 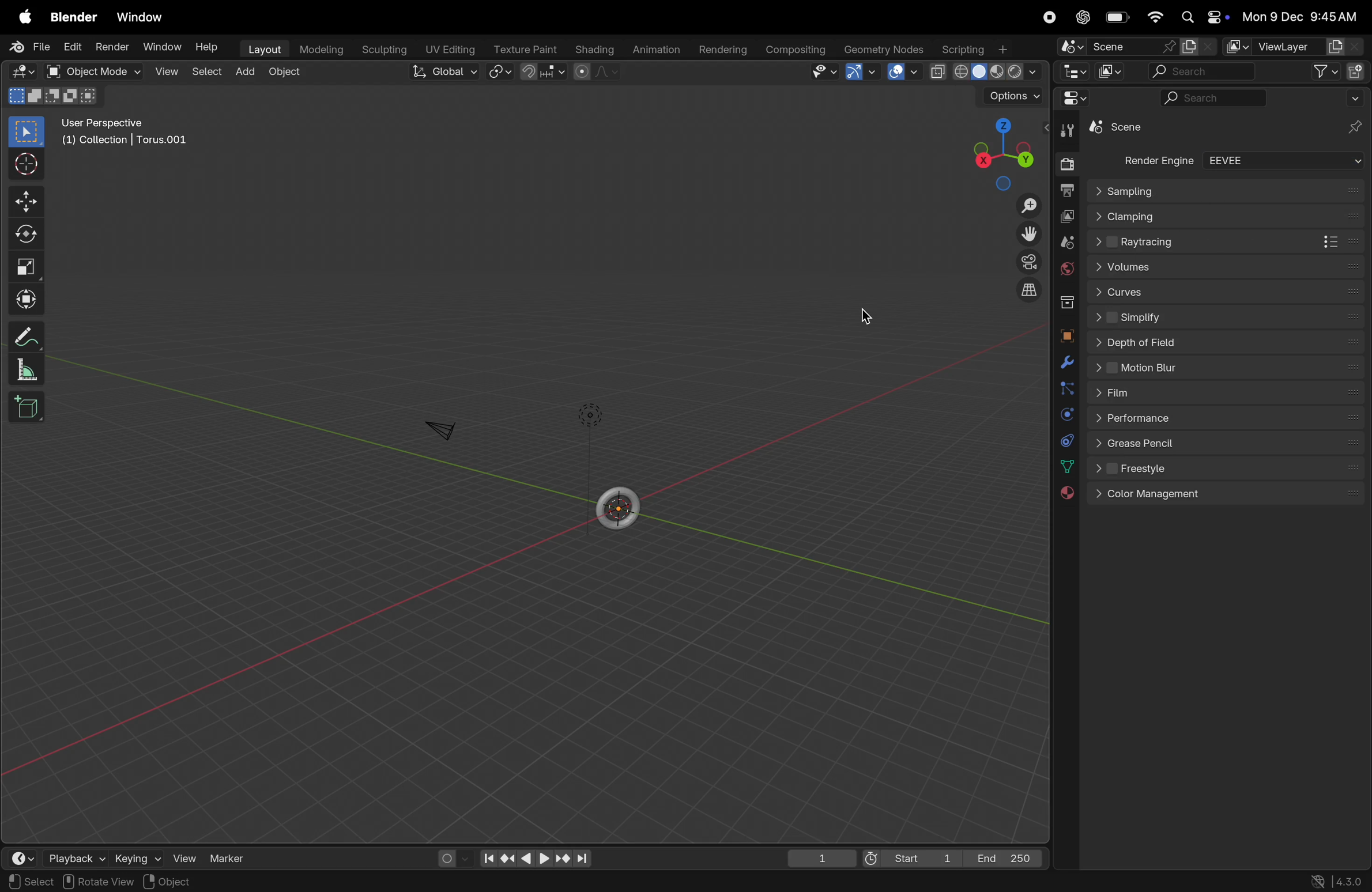 I want to click on date and time, so click(x=1305, y=16).